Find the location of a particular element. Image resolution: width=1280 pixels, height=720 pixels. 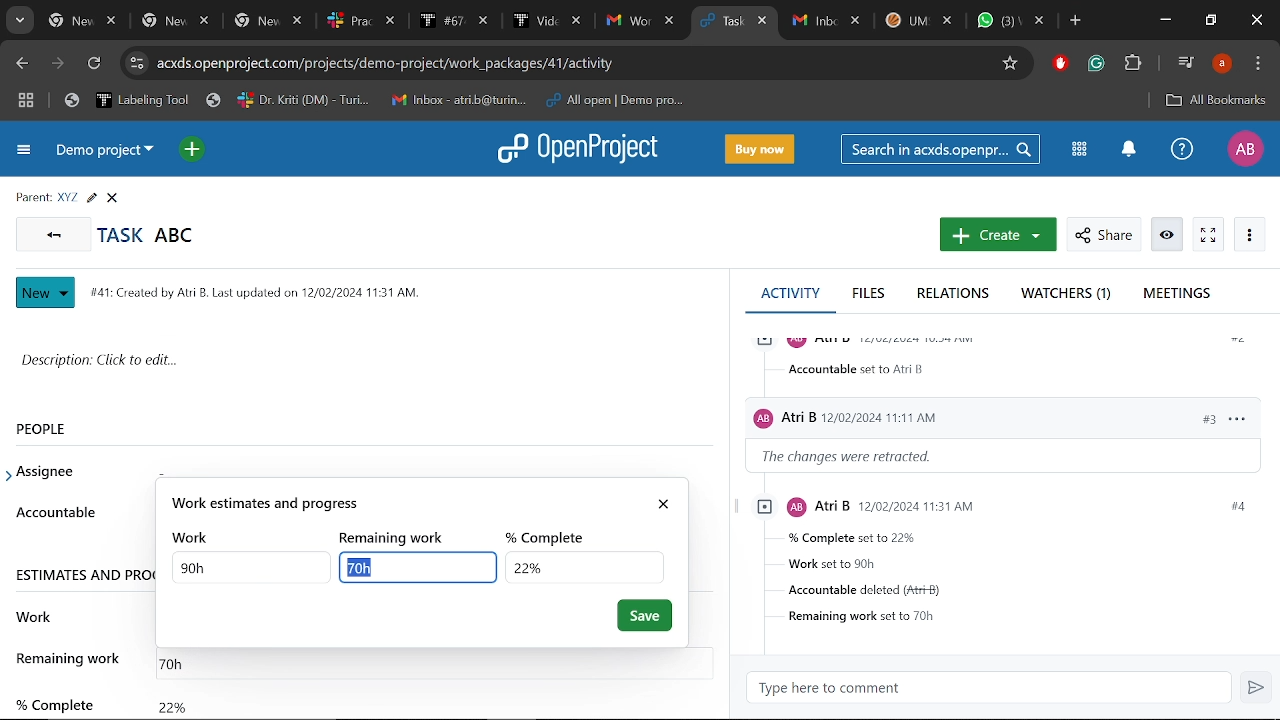

TOtal work is located at coordinates (252, 567).